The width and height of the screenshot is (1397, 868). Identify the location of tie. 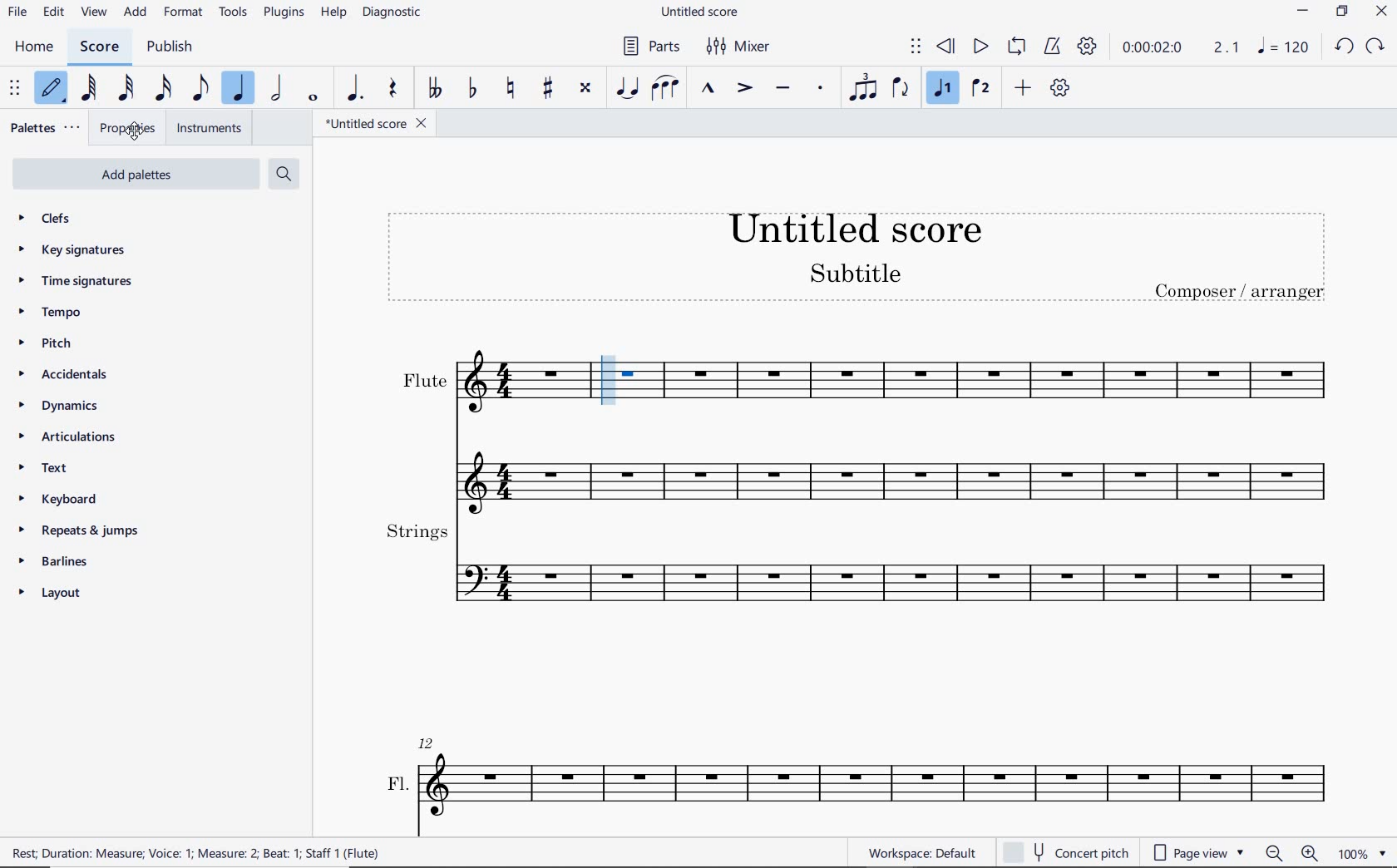
(627, 87).